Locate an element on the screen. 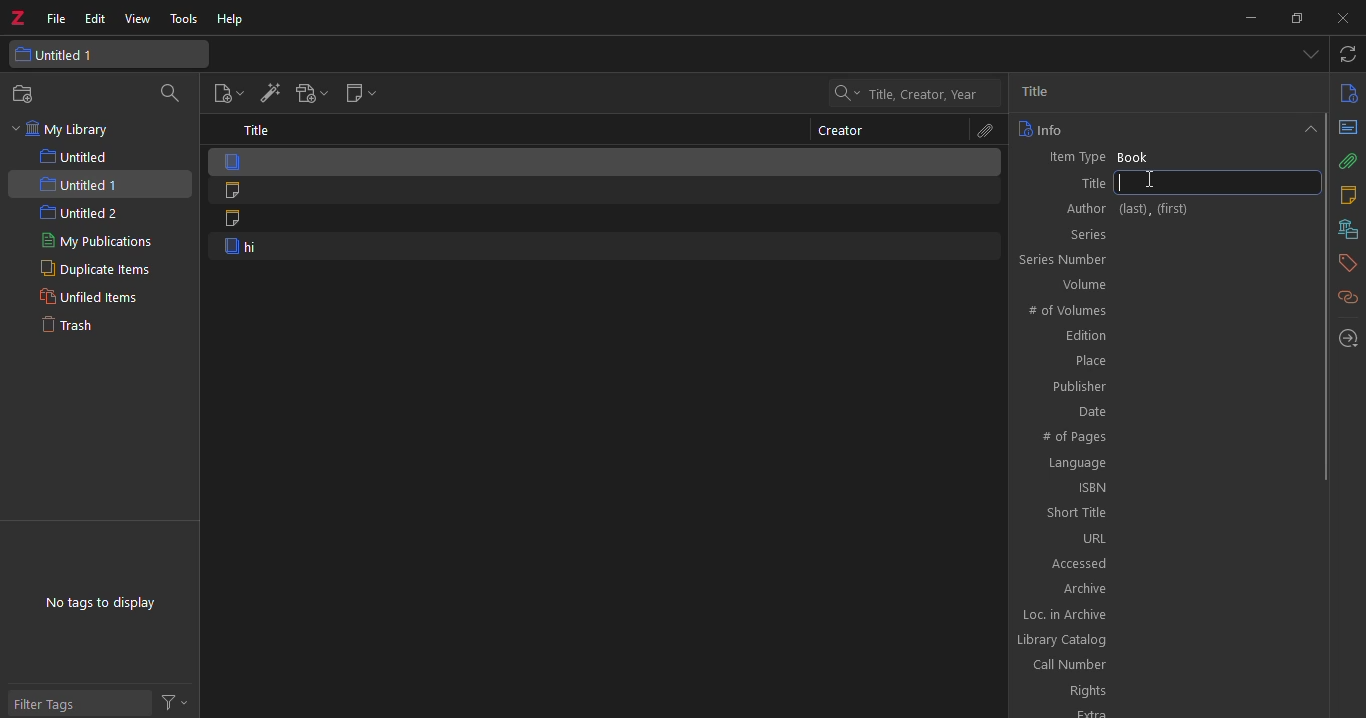 The height and width of the screenshot is (718, 1366). title is located at coordinates (1045, 92).